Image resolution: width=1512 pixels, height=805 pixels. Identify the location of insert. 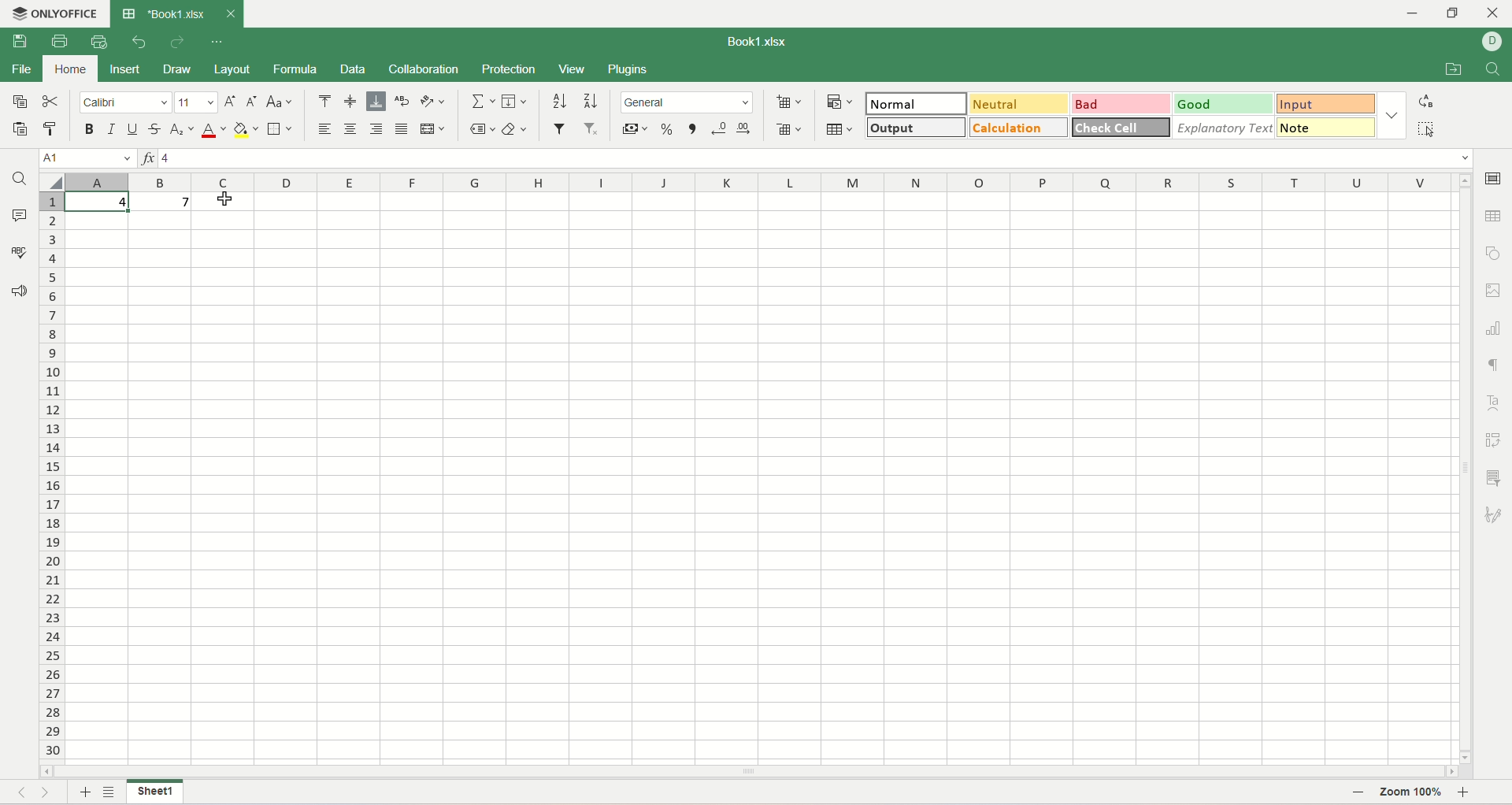
(128, 70).